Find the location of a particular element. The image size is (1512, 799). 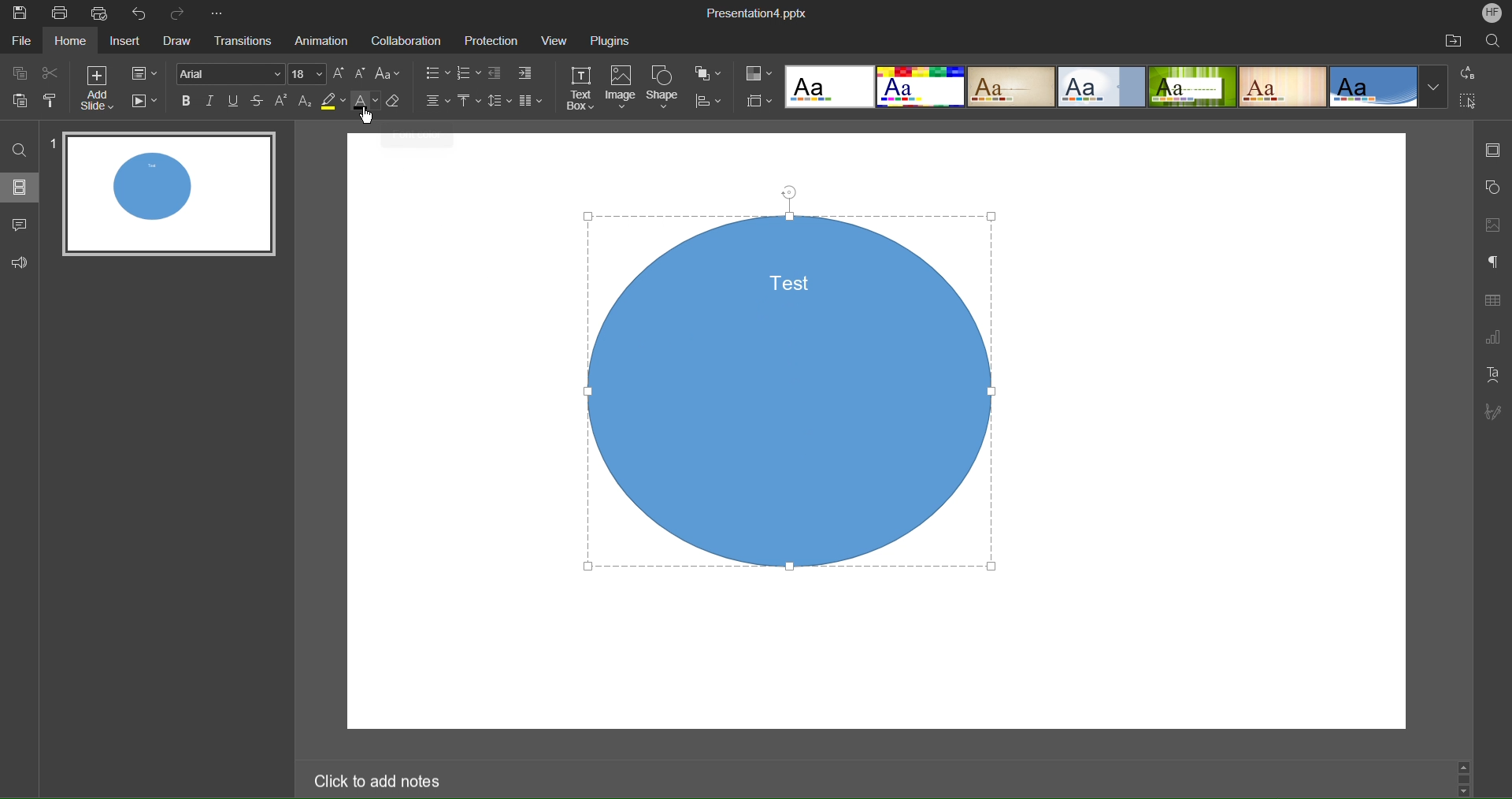

Scroll down  is located at coordinates (1466, 793).